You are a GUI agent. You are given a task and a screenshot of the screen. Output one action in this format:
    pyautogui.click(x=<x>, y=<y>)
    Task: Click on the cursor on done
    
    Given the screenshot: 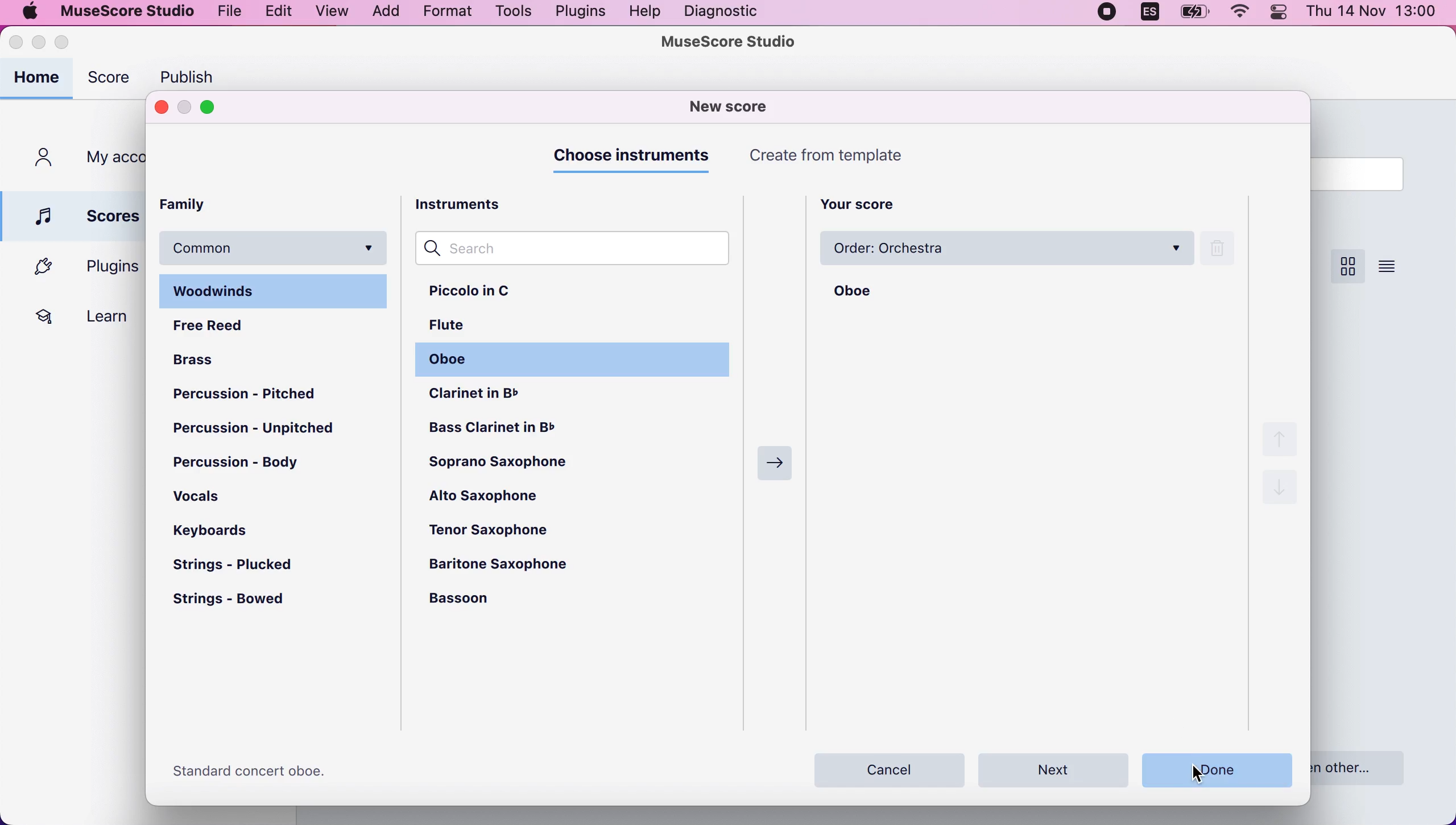 What is the action you would take?
    pyautogui.click(x=1198, y=774)
    